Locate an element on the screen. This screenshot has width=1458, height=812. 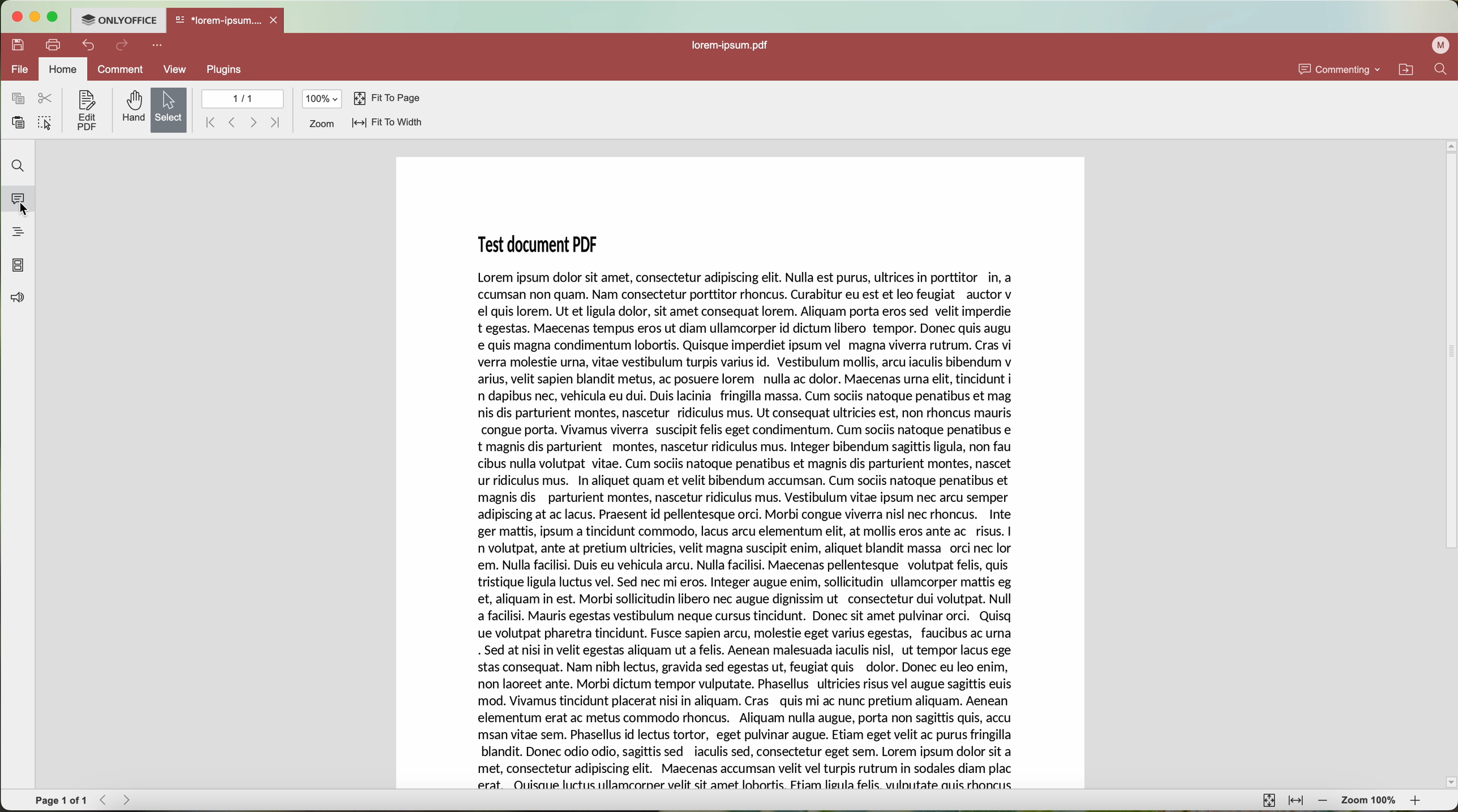
profile is located at coordinates (1439, 46).